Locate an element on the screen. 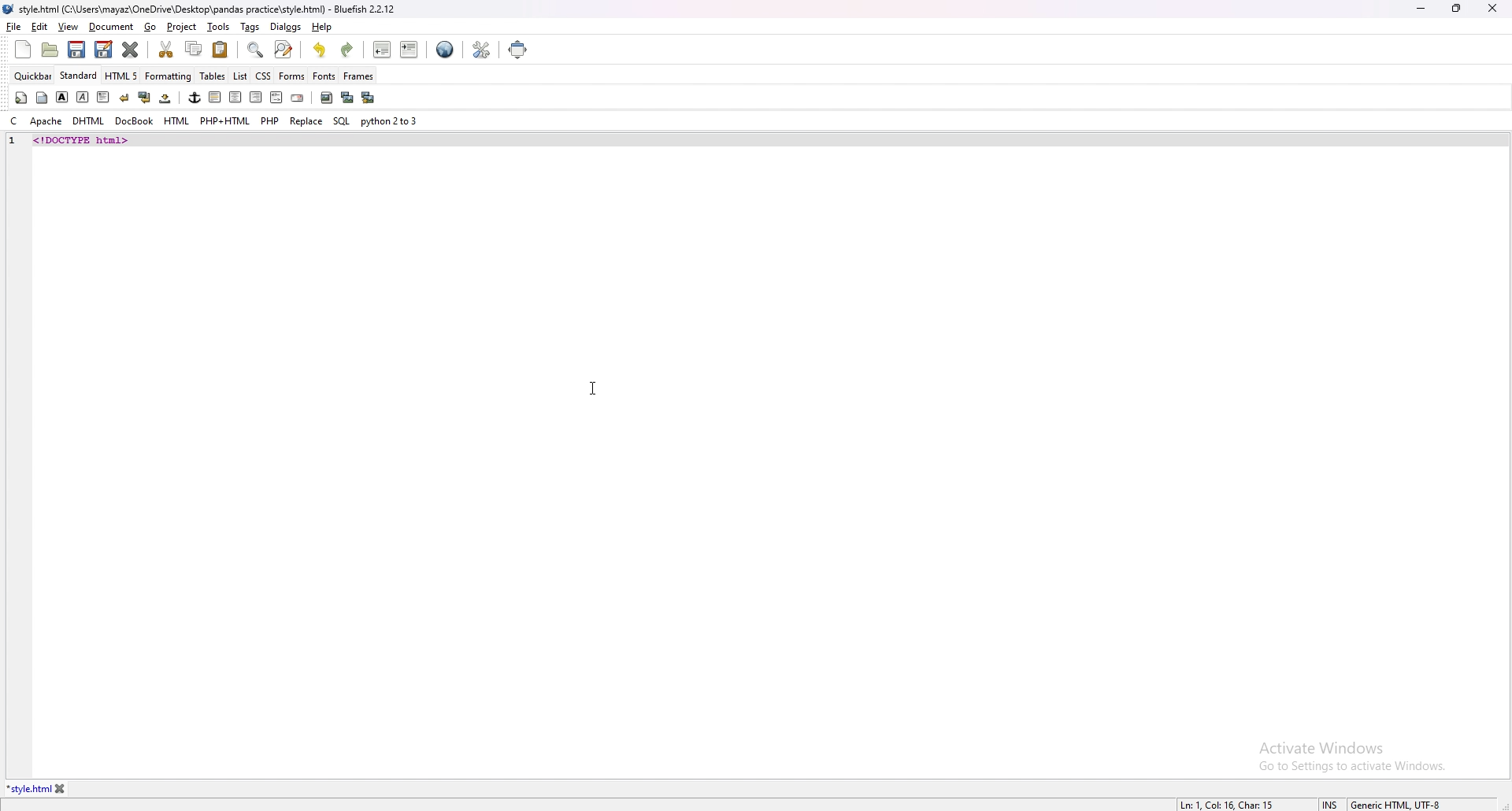 This screenshot has width=1512, height=811. file name is located at coordinates (202, 10).